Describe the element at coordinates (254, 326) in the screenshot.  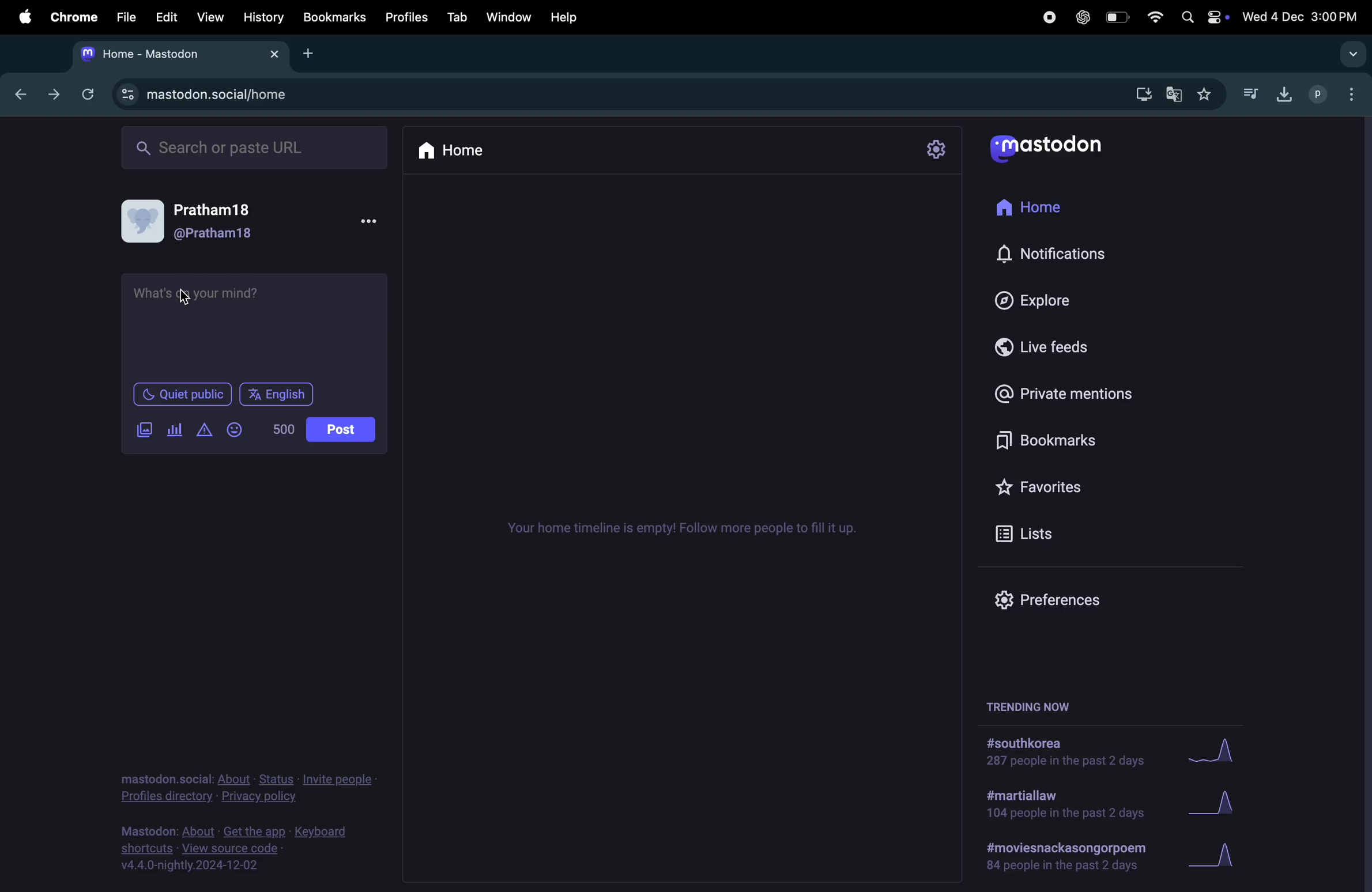
I see `text box` at that location.